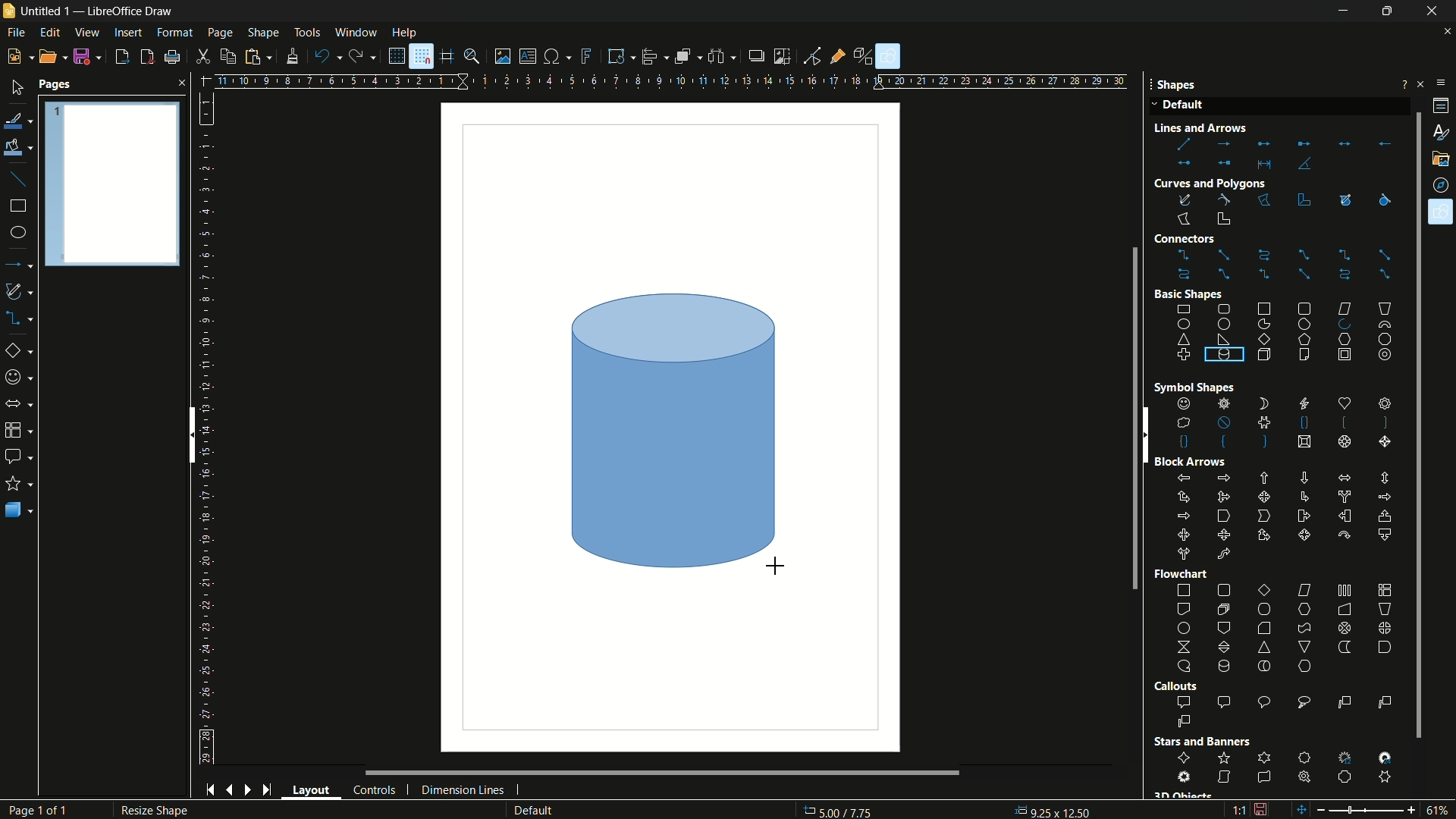  Describe the element at coordinates (1442, 159) in the screenshot. I see `gallery` at that location.